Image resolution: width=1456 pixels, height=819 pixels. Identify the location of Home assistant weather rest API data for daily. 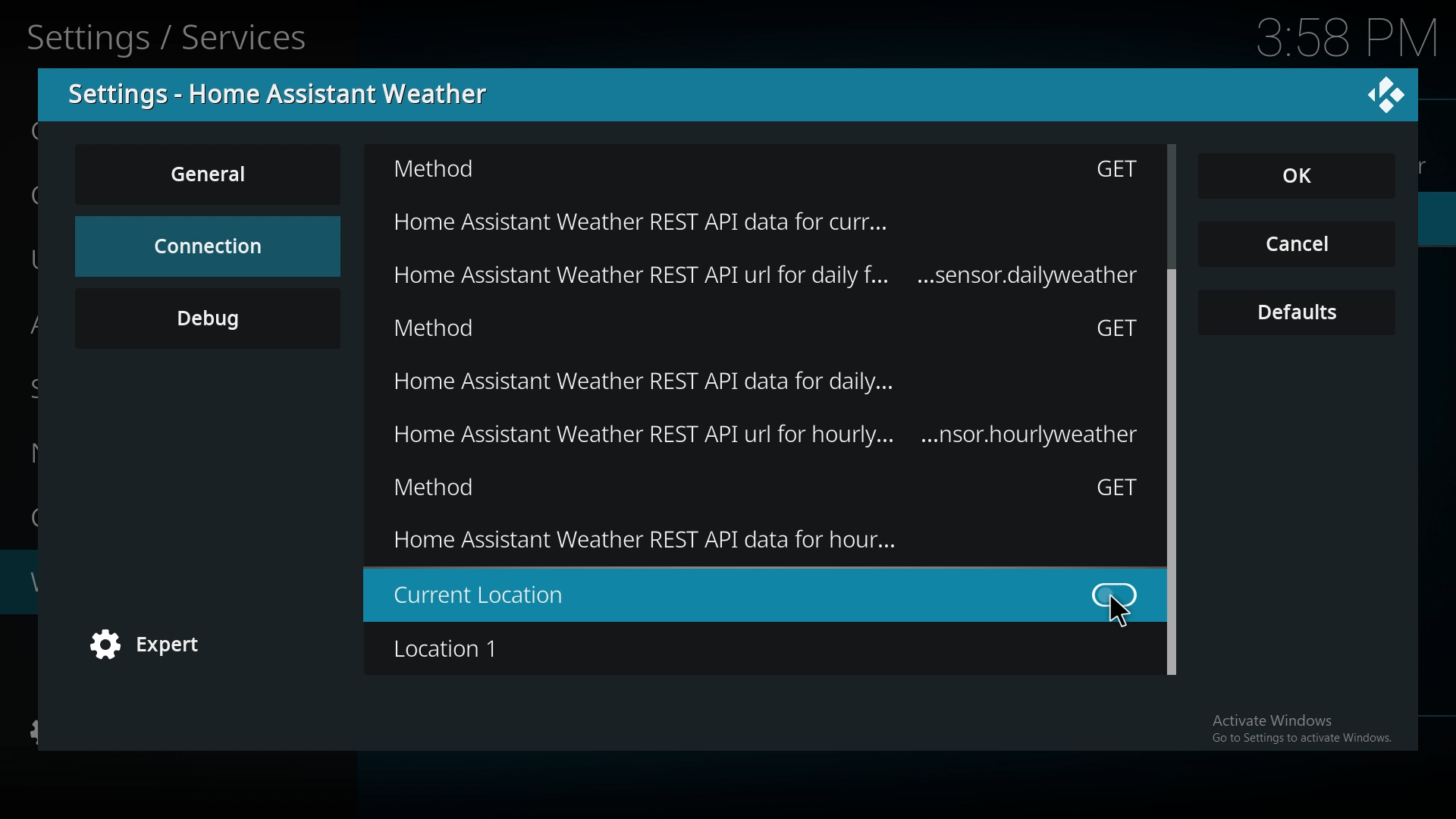
(789, 386).